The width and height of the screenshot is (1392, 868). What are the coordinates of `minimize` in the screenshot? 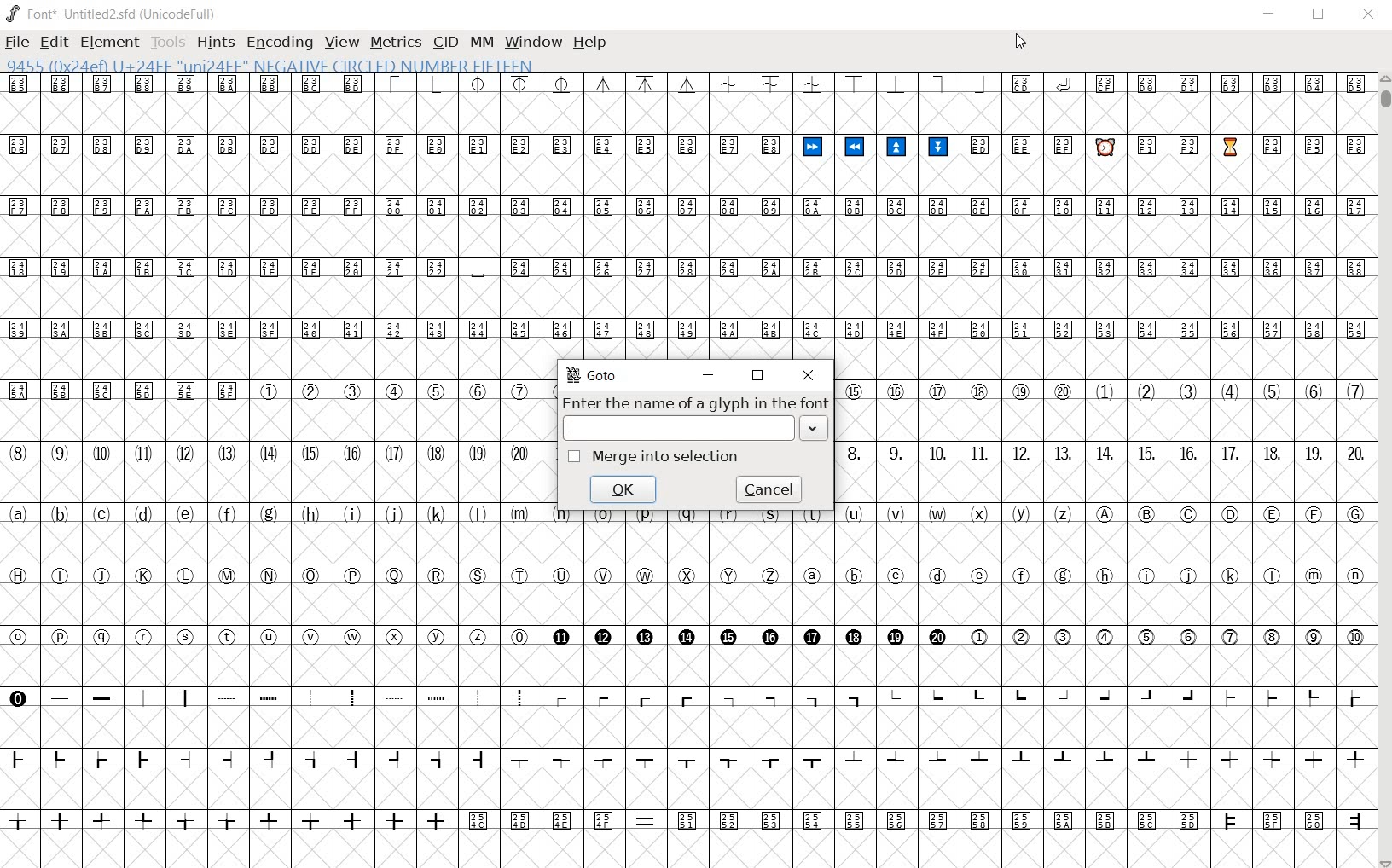 It's located at (709, 373).